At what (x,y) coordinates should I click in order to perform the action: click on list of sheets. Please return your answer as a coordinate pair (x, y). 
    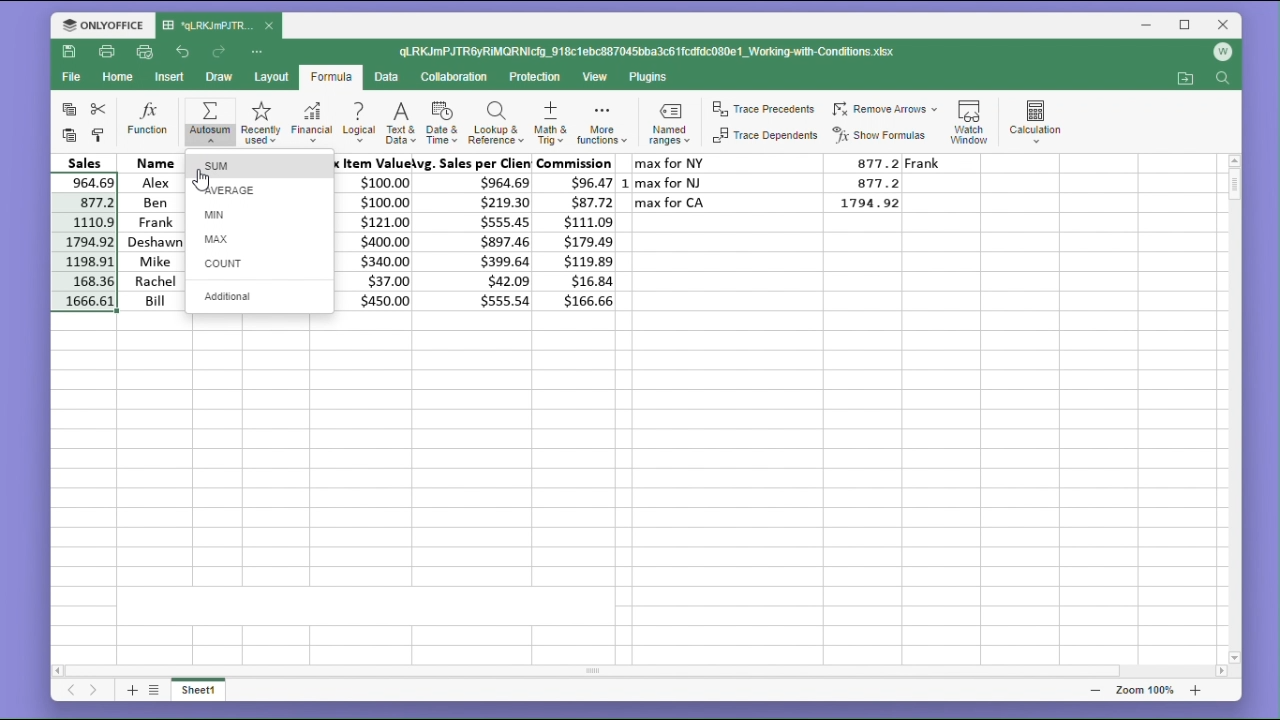
    Looking at the image, I should click on (157, 689).